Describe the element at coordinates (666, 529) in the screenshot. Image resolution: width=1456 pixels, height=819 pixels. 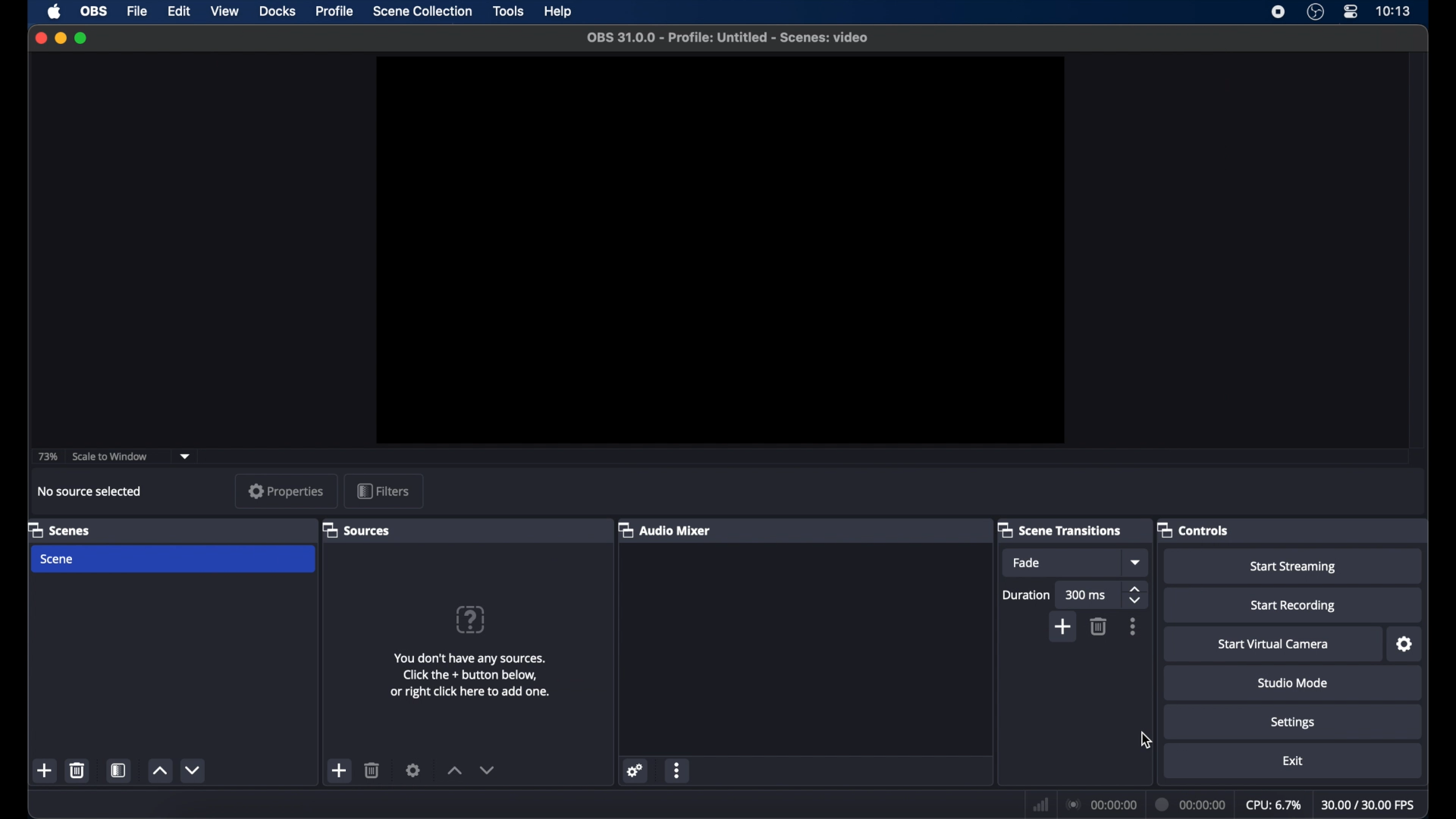
I see `audio mixer` at that location.